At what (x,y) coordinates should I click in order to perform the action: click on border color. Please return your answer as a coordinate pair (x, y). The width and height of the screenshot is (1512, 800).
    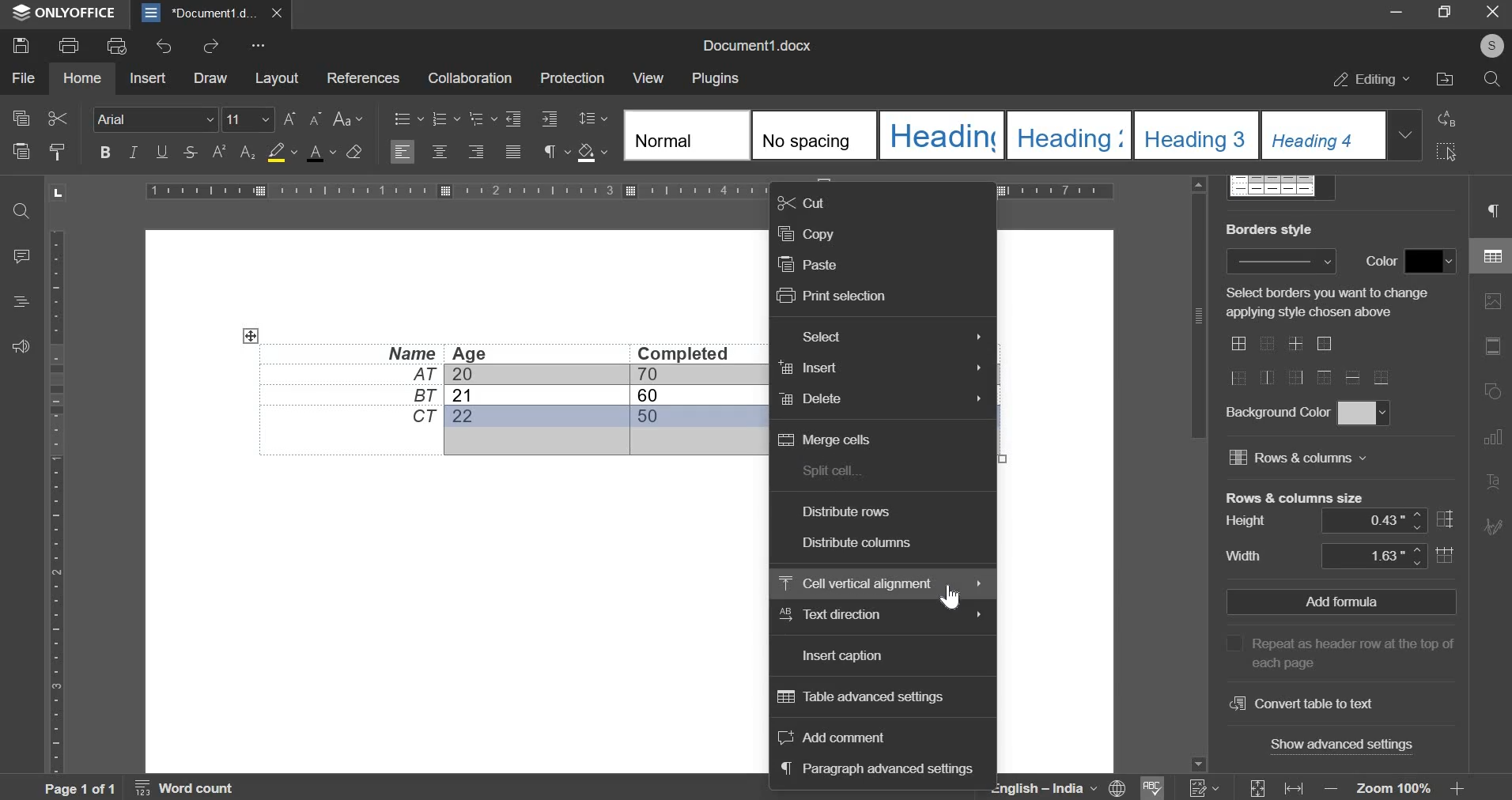
    Looking at the image, I should click on (1430, 262).